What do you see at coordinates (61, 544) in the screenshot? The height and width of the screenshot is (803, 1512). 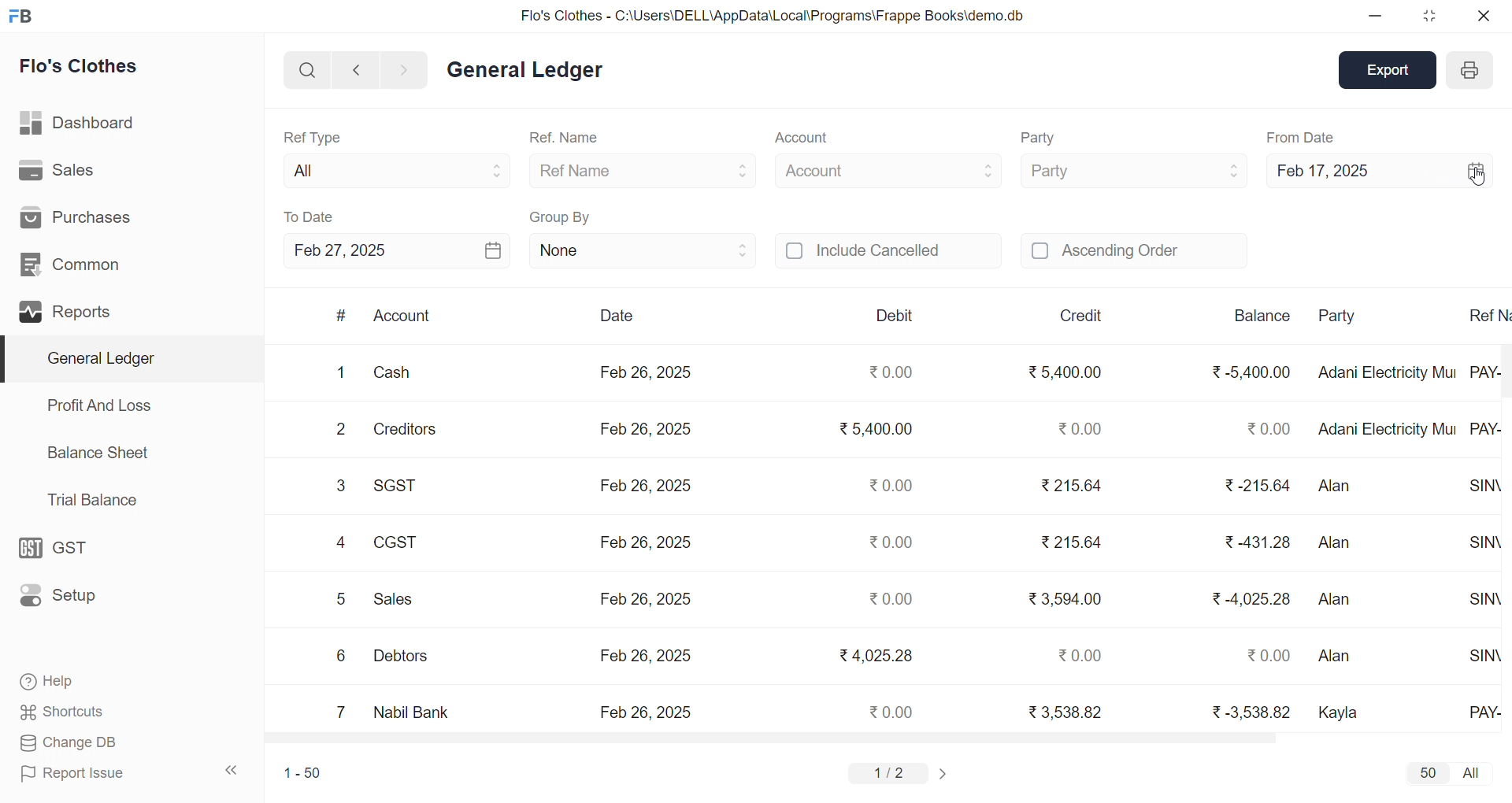 I see `GST` at bounding box center [61, 544].